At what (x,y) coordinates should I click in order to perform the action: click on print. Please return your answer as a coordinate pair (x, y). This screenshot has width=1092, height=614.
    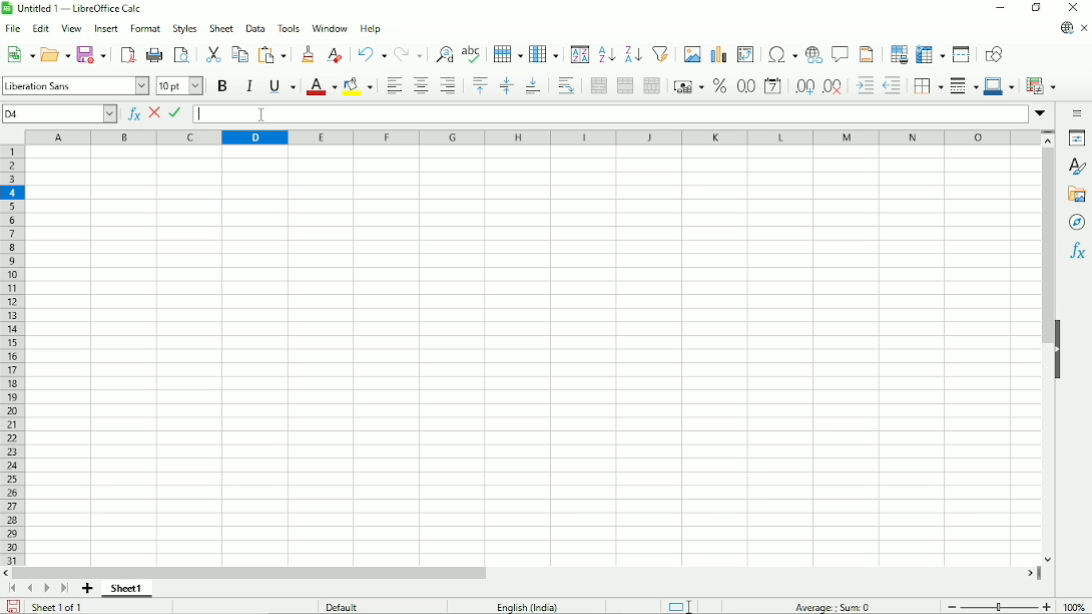
    Looking at the image, I should click on (155, 55).